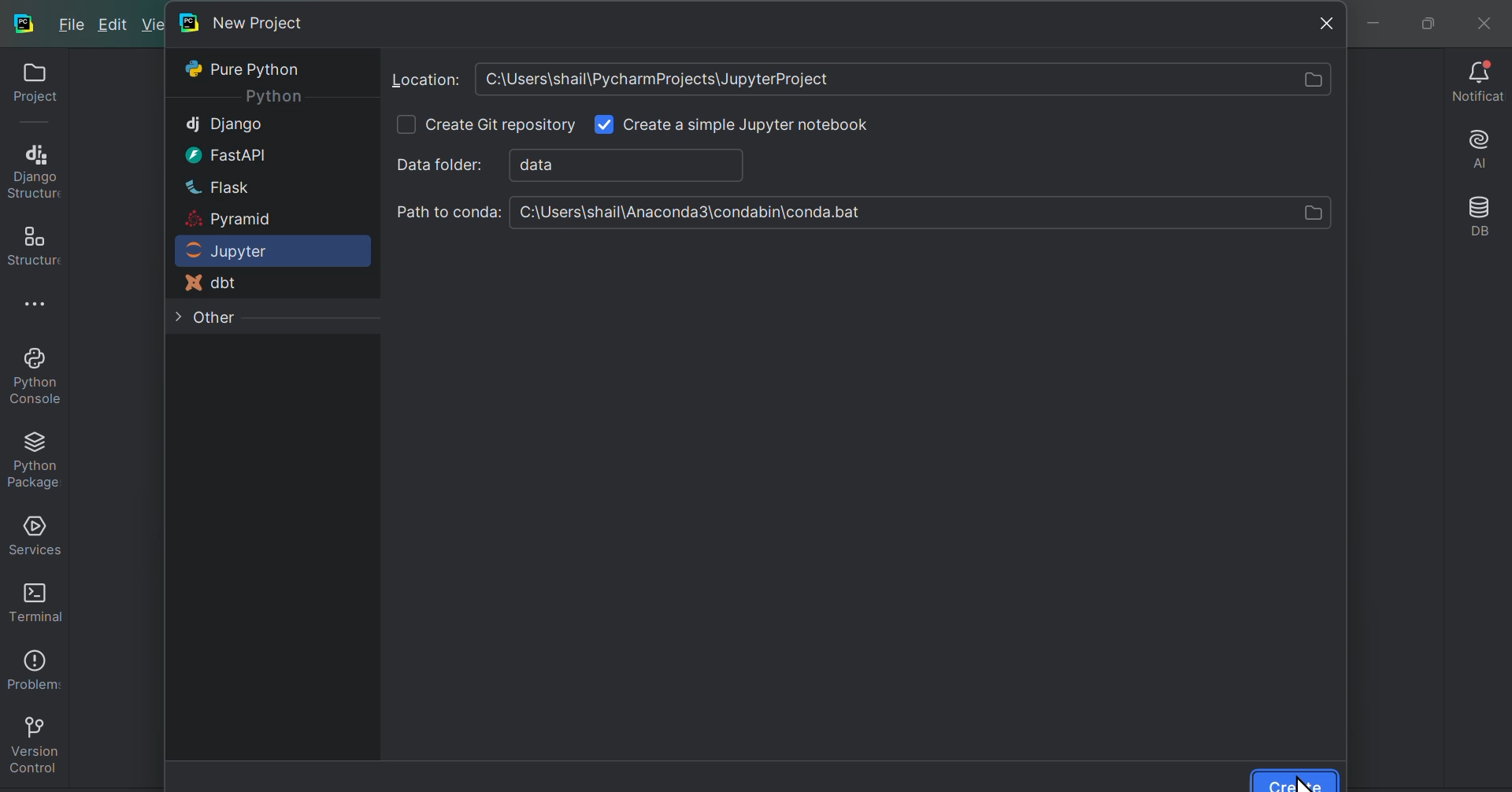  I want to click on , so click(746, 124).